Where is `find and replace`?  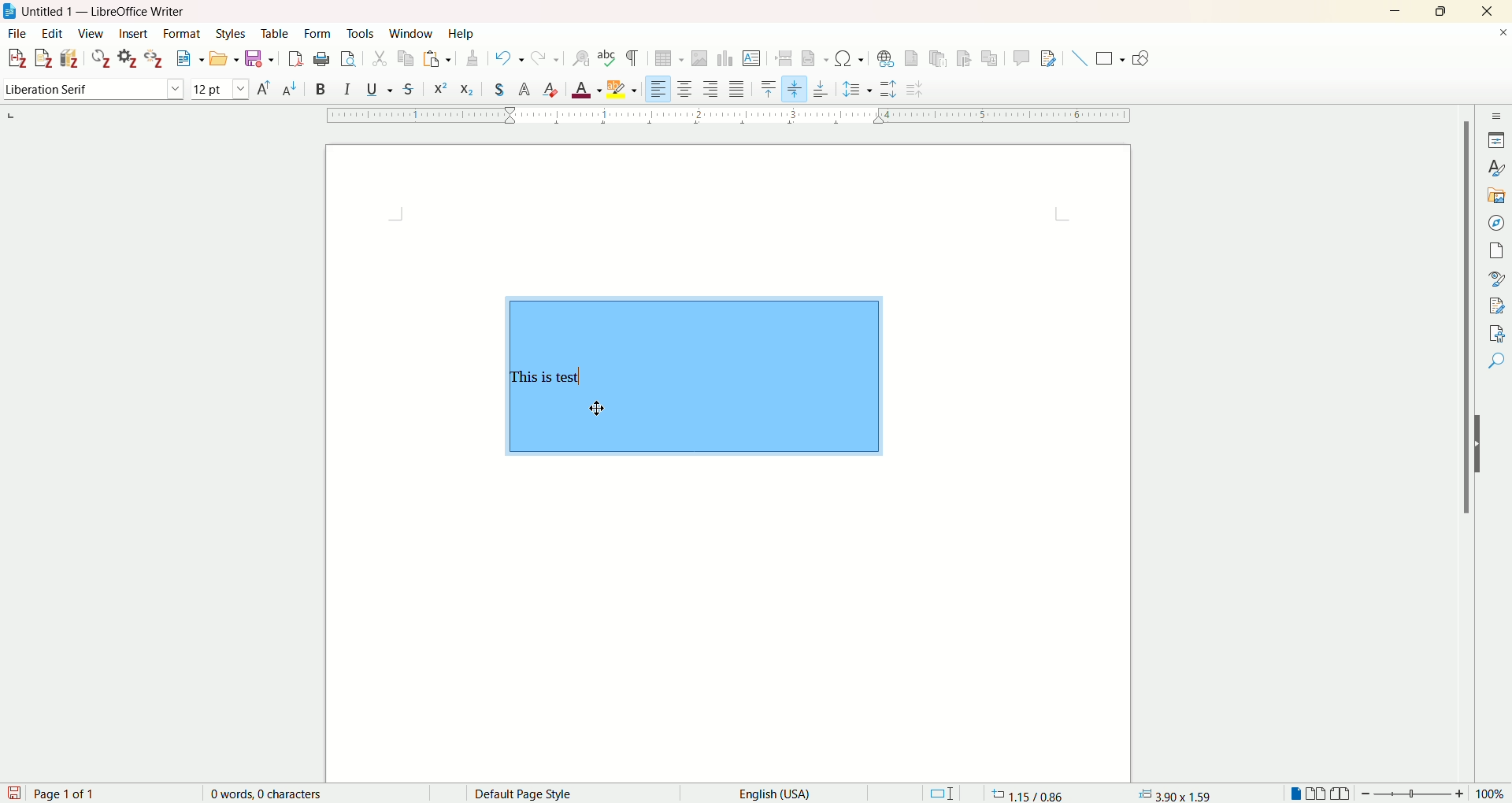 find and replace is located at coordinates (585, 58).